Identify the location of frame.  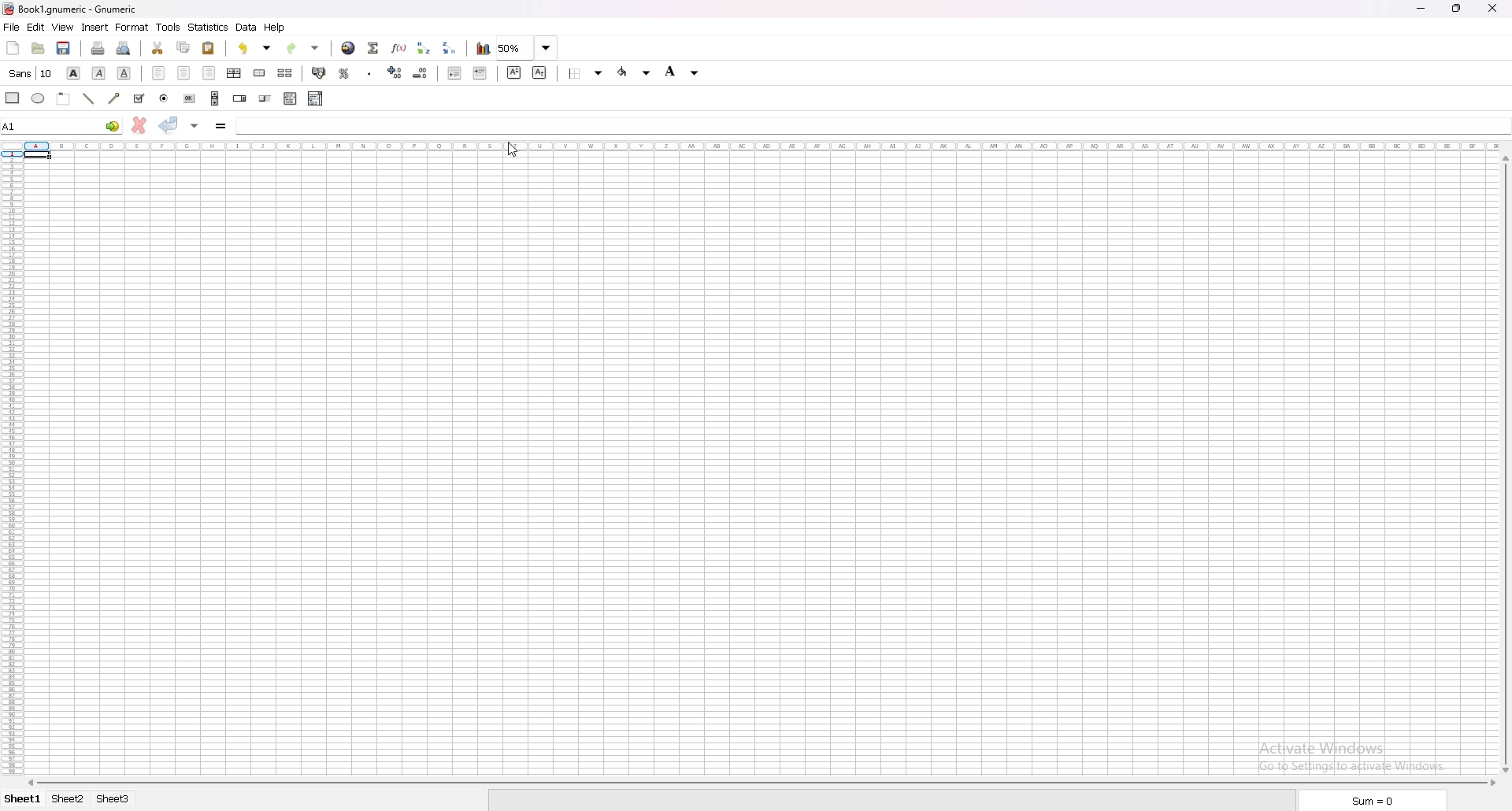
(63, 98).